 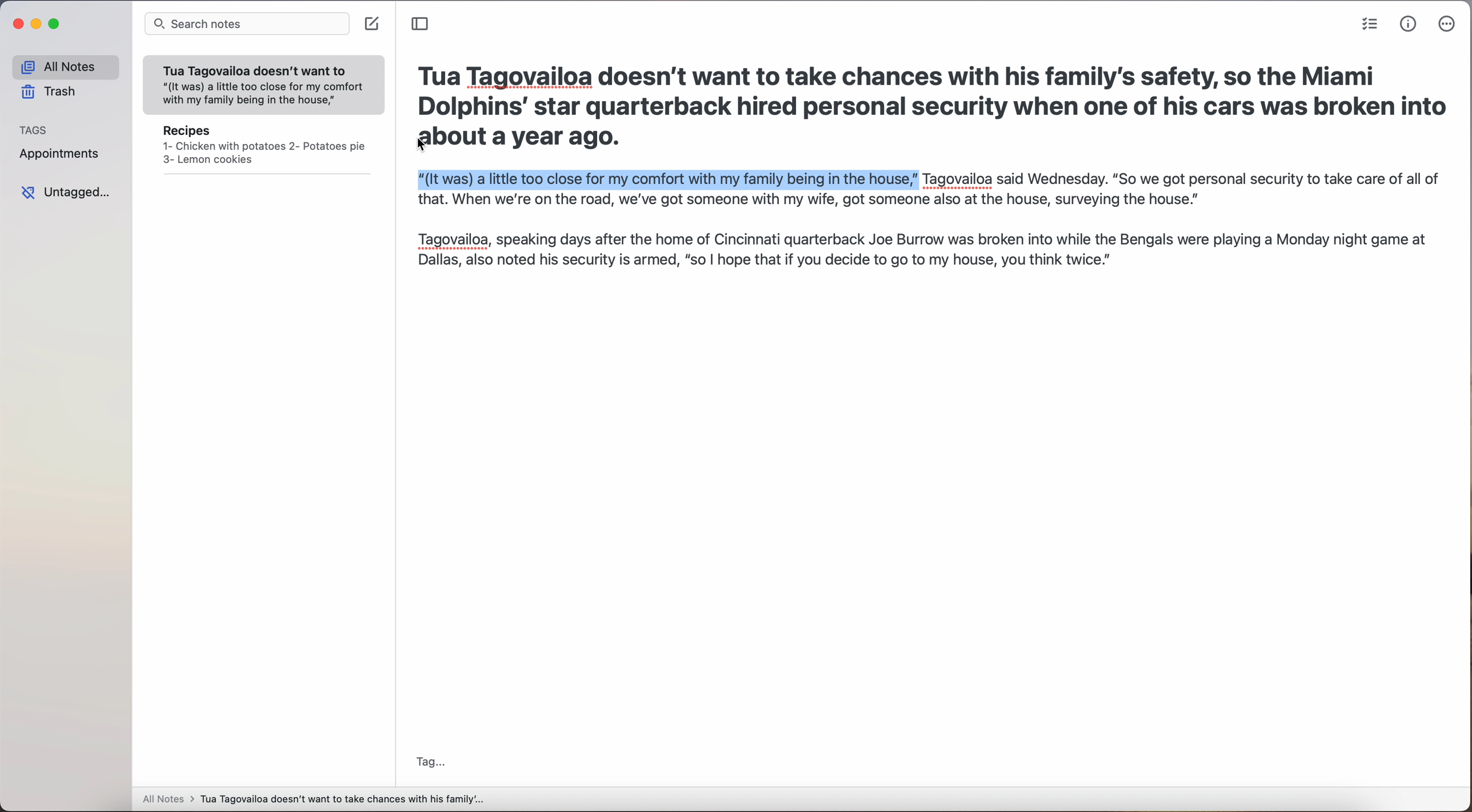 I want to click on all notes, so click(x=65, y=66).